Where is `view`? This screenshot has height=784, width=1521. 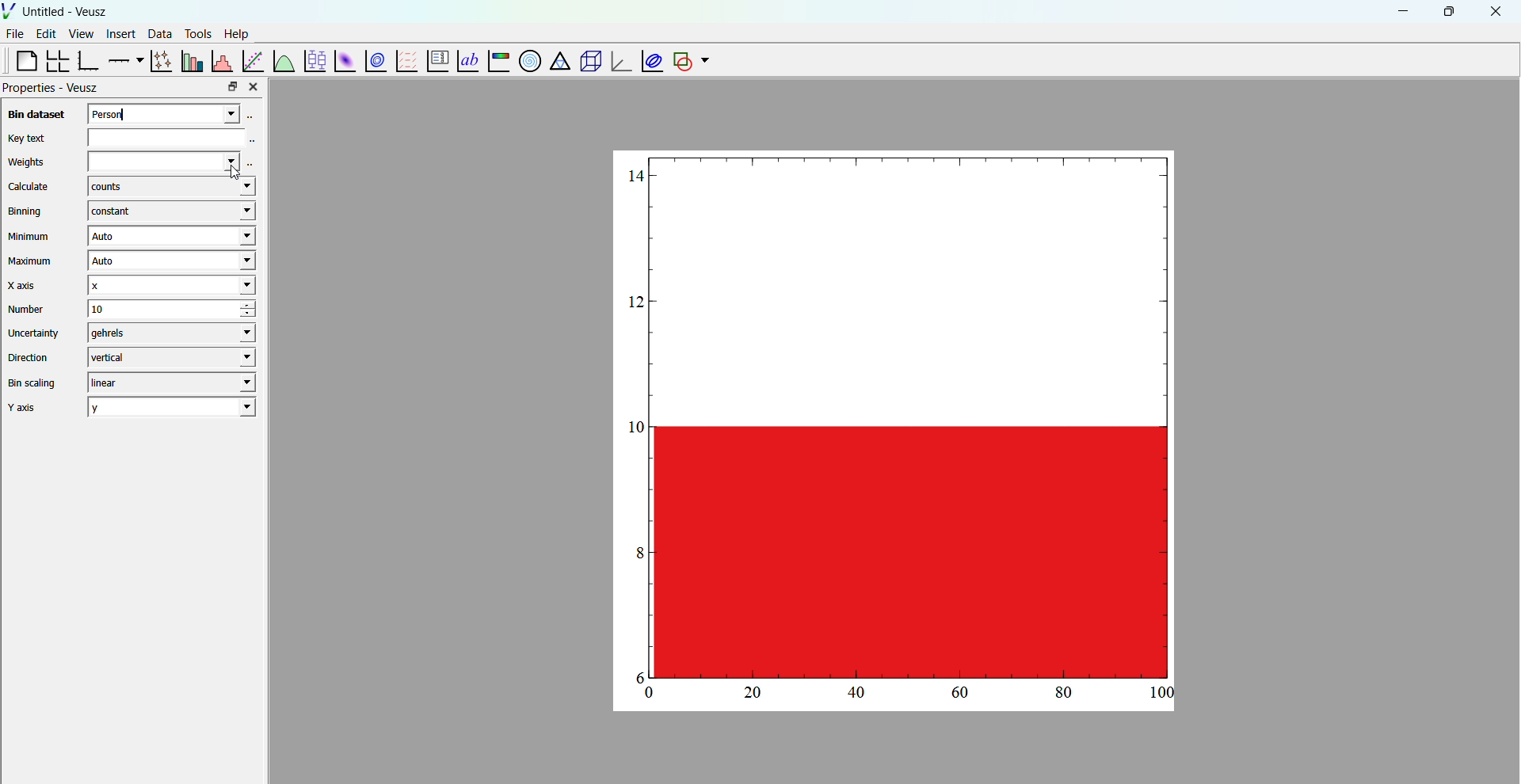
view is located at coordinates (81, 36).